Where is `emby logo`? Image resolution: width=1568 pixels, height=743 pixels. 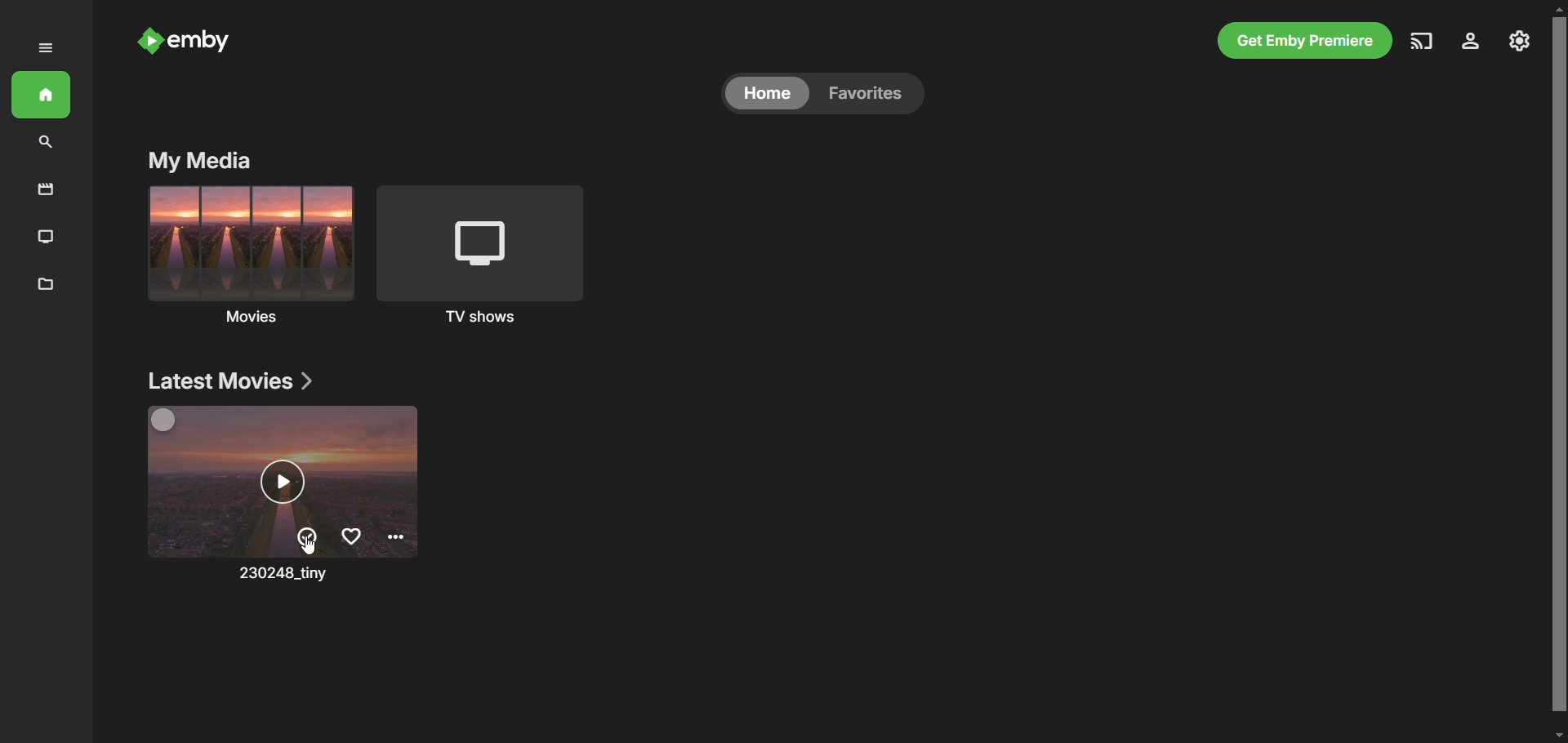
emby logo is located at coordinates (146, 41).